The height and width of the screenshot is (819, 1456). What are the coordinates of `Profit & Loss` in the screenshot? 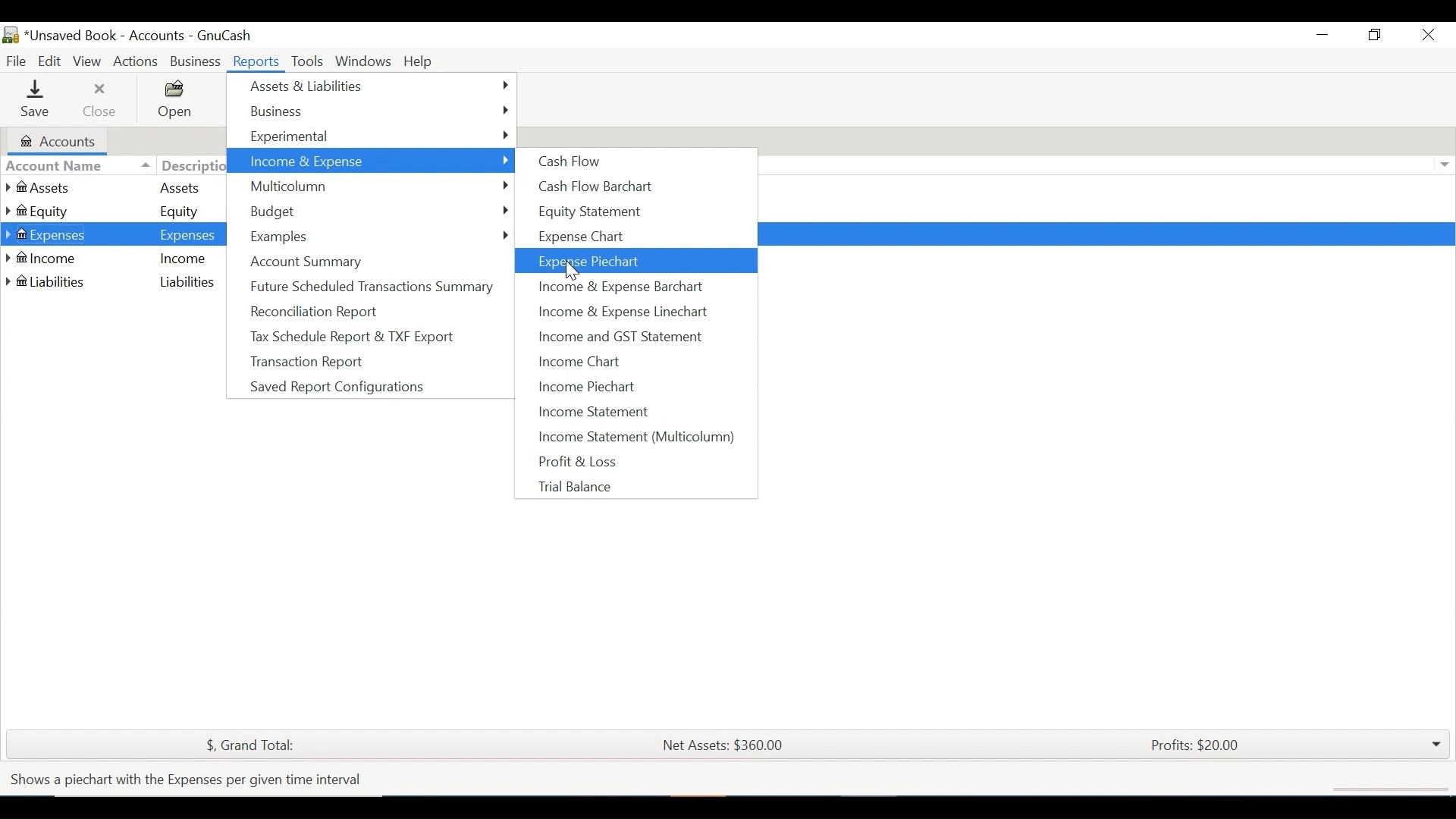 It's located at (579, 463).